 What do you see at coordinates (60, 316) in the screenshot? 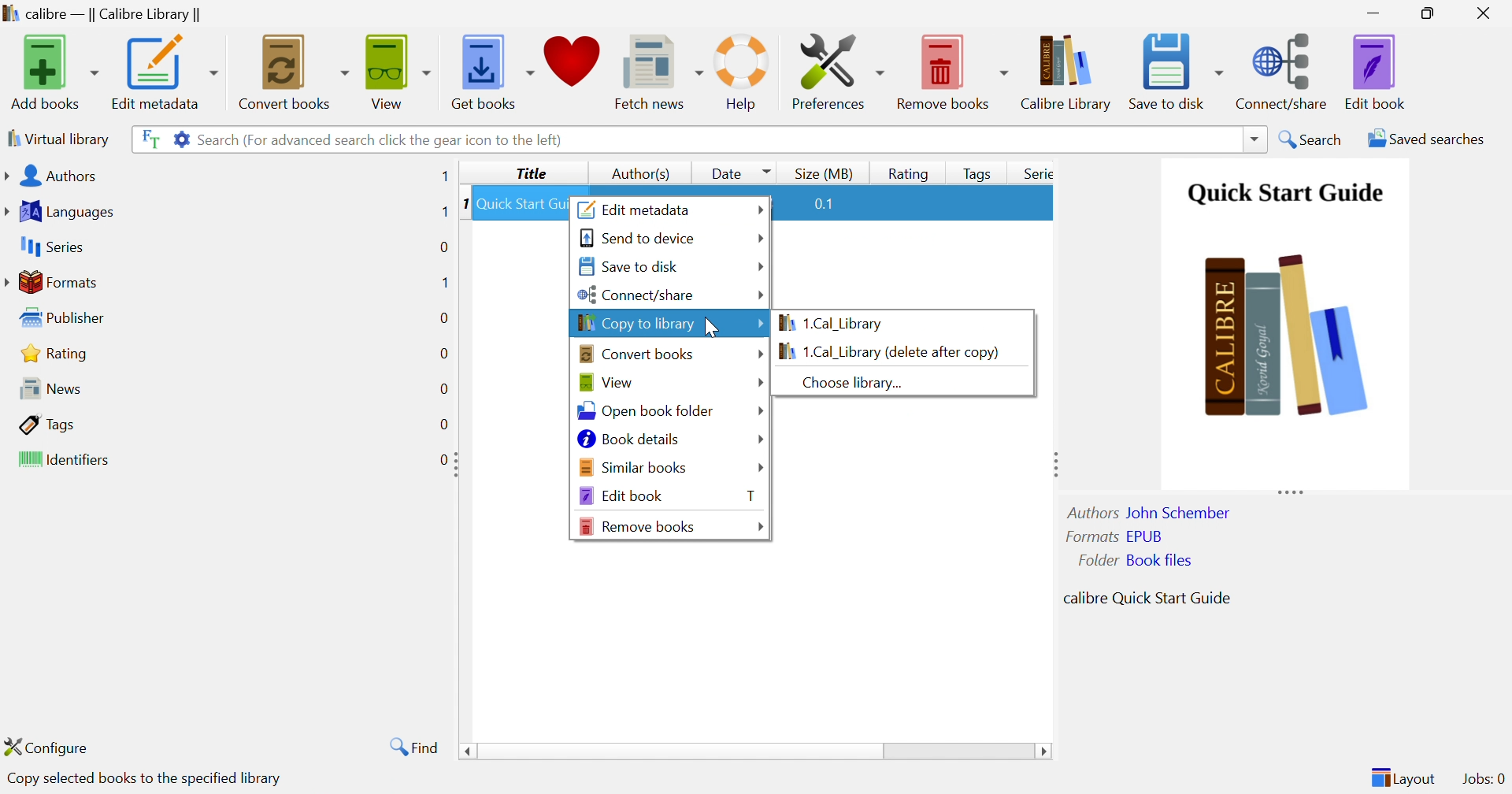
I see `Publisher` at bounding box center [60, 316].